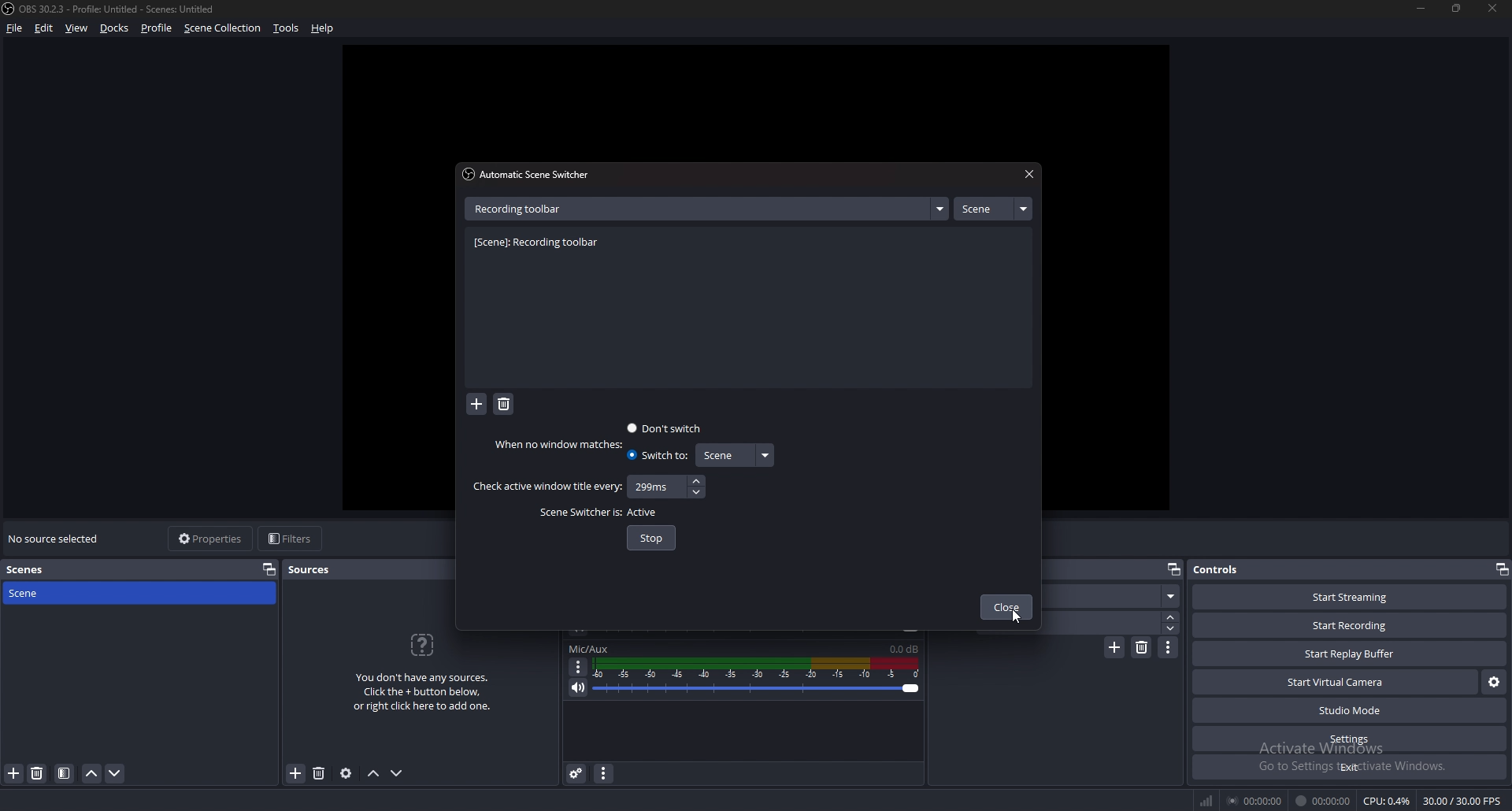  What do you see at coordinates (423, 670) in the screenshot?
I see `info` at bounding box center [423, 670].